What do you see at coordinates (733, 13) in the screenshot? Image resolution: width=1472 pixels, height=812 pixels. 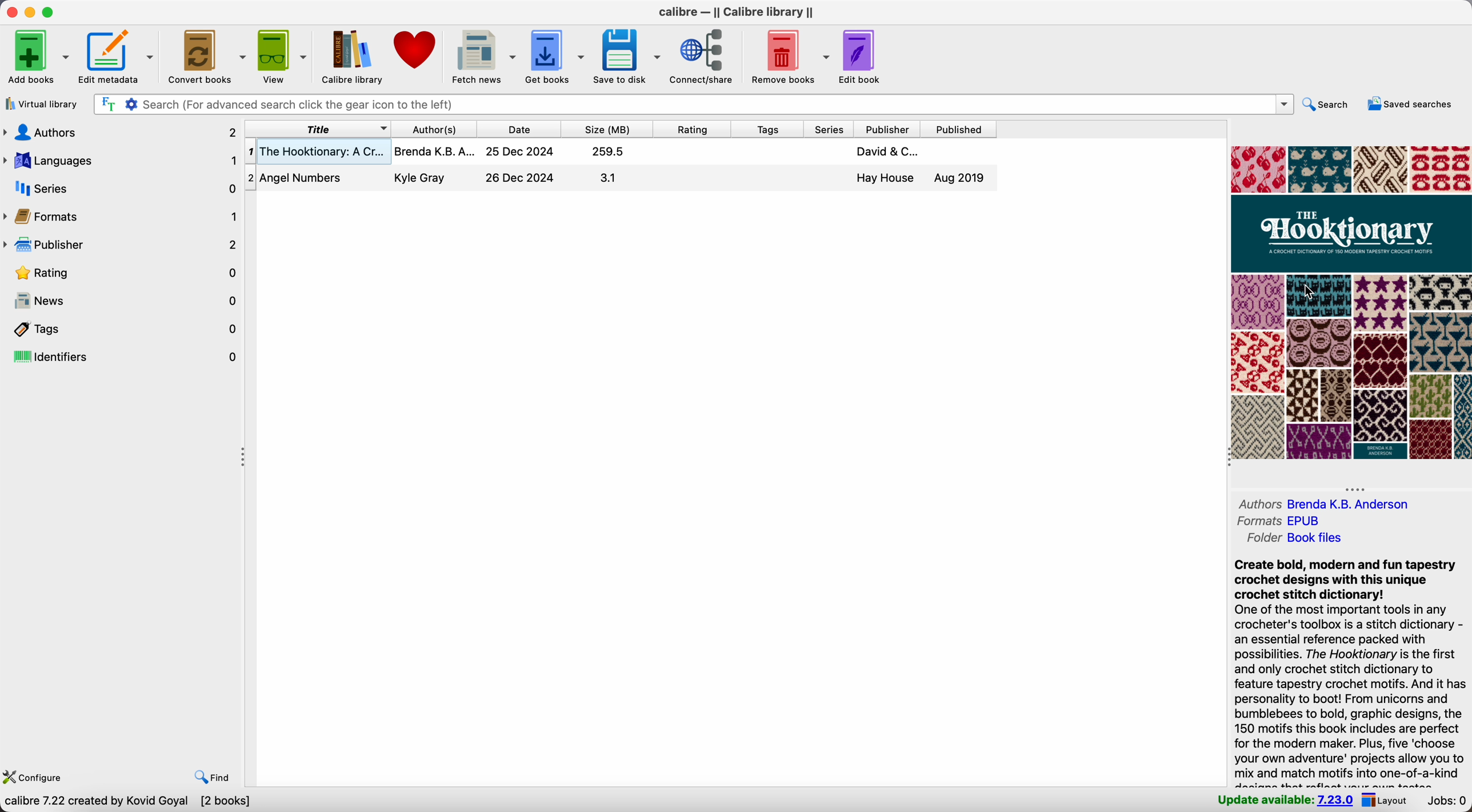 I see `Calibre` at bounding box center [733, 13].